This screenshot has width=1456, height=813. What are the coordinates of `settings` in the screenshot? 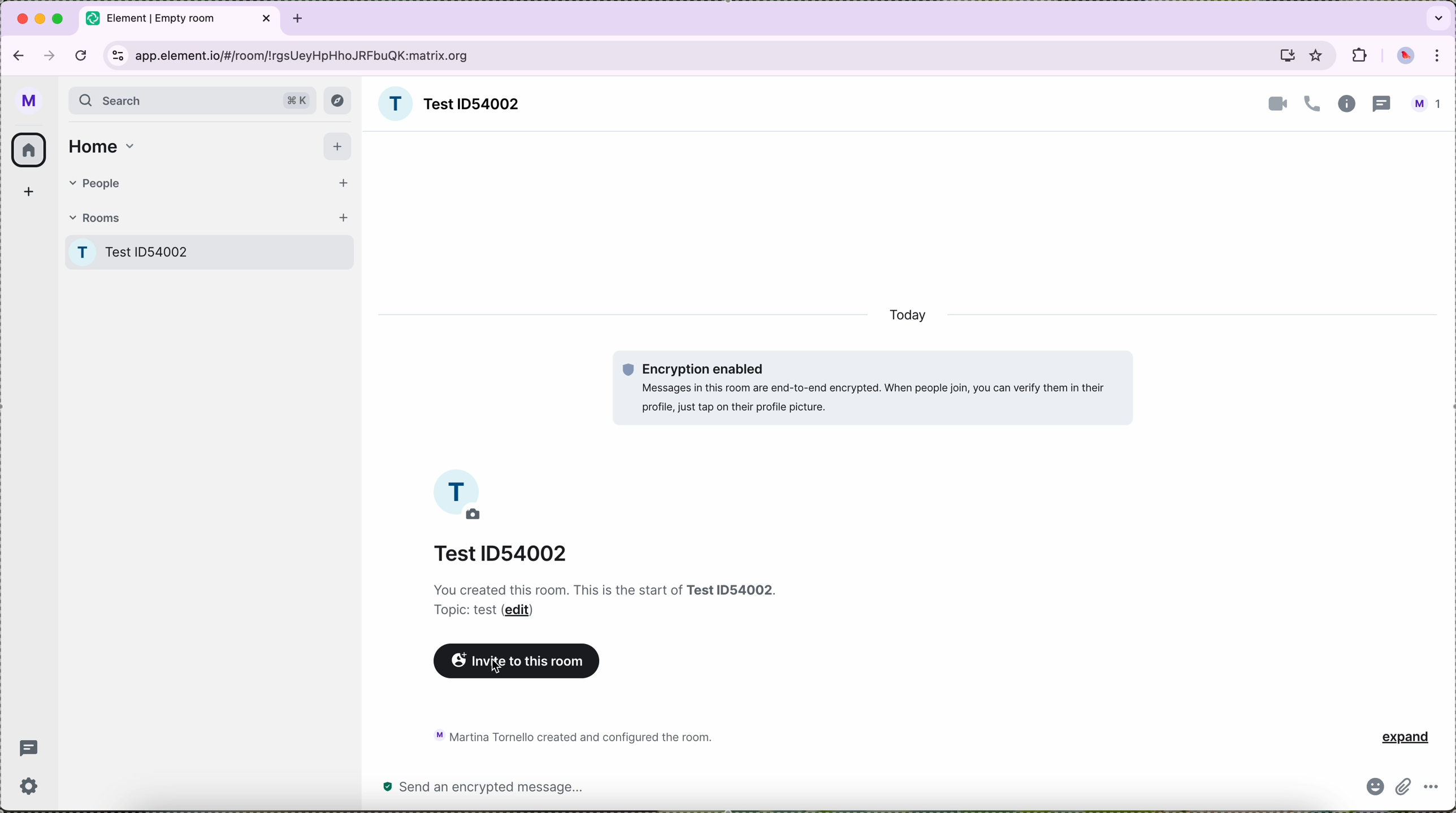 It's located at (29, 785).